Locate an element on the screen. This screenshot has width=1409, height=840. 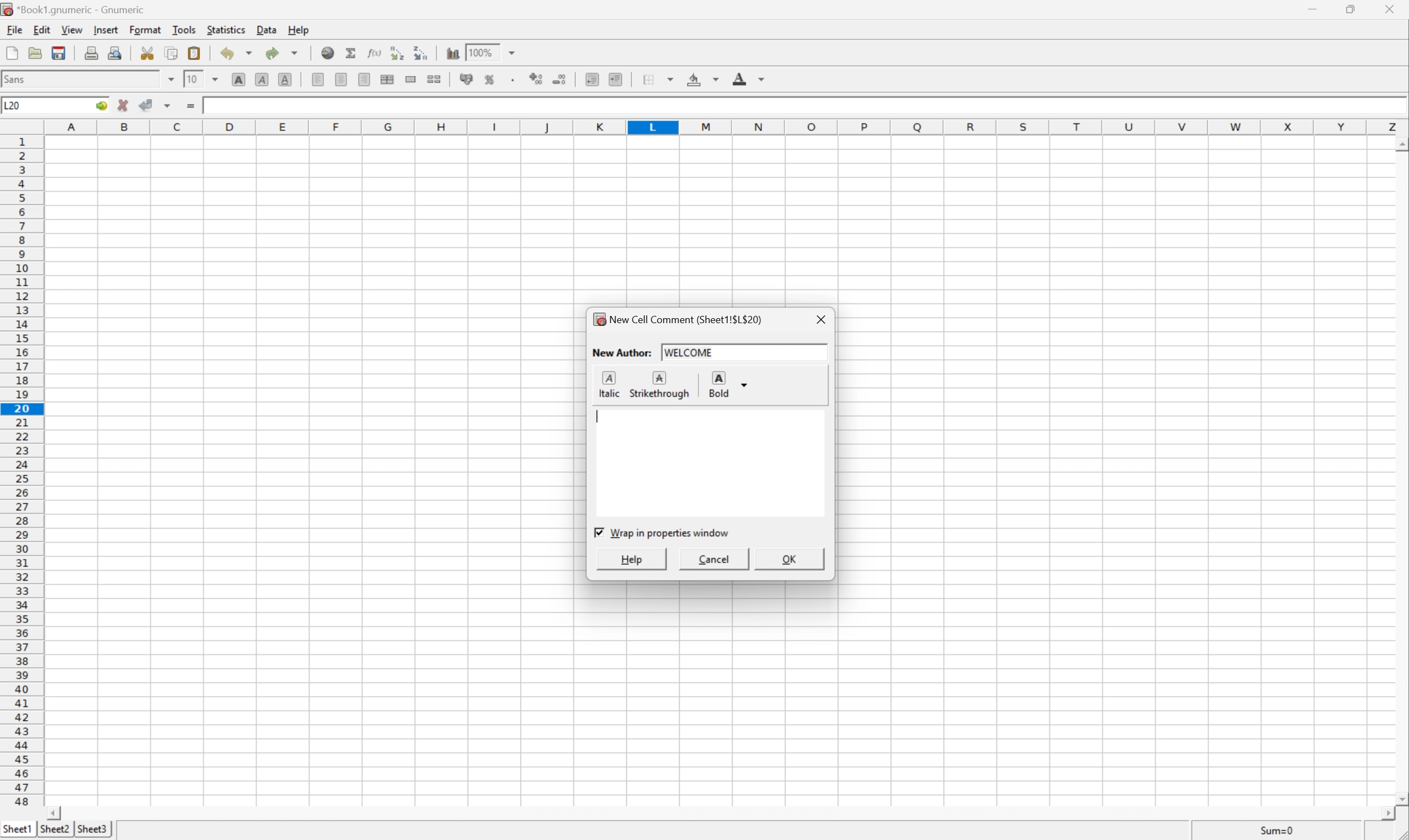
Sum=0 is located at coordinates (1274, 831).